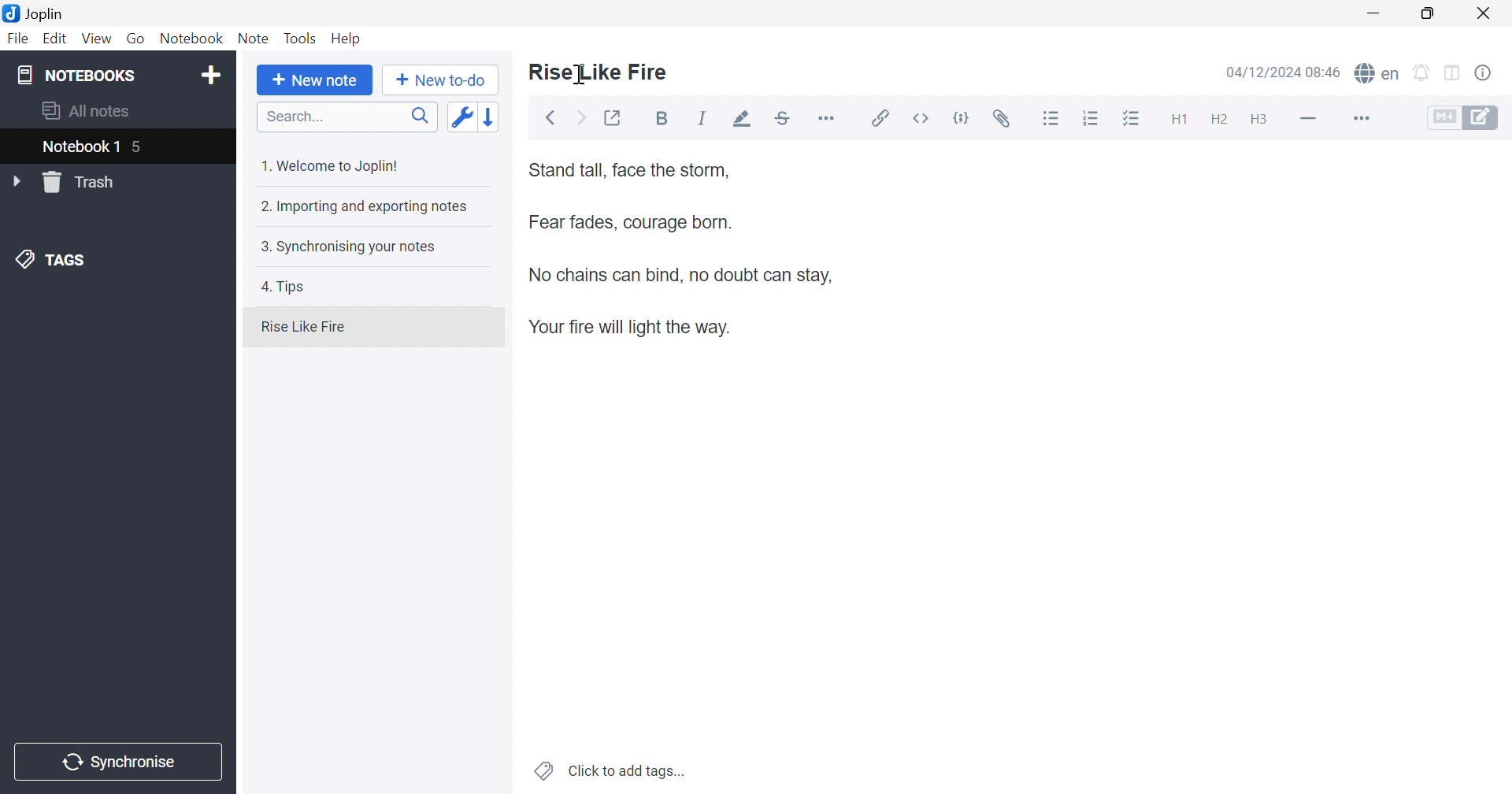 The image size is (1512, 794). What do you see at coordinates (1308, 120) in the screenshot?
I see `Horizontal line` at bounding box center [1308, 120].